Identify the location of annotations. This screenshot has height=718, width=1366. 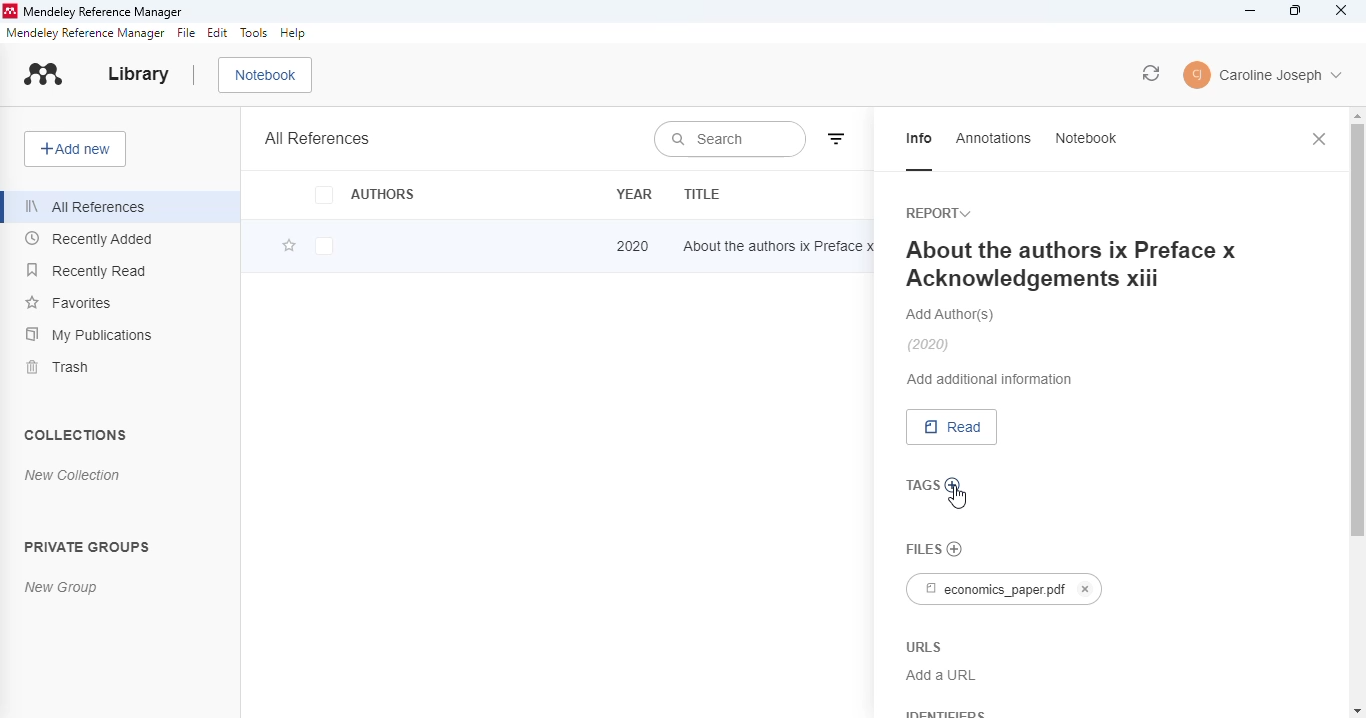
(993, 137).